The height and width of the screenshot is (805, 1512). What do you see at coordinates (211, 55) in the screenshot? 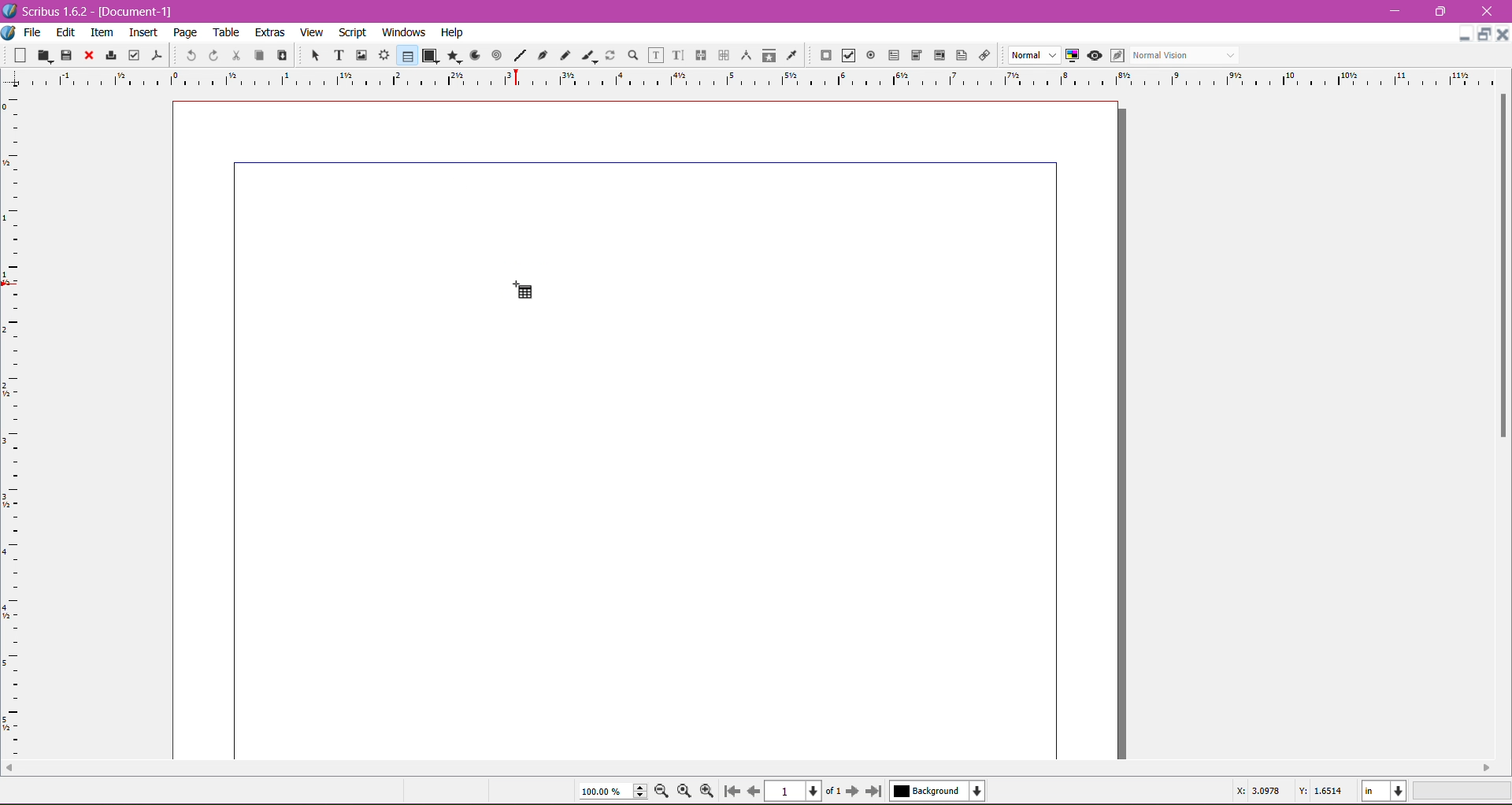
I see `Redo` at bounding box center [211, 55].